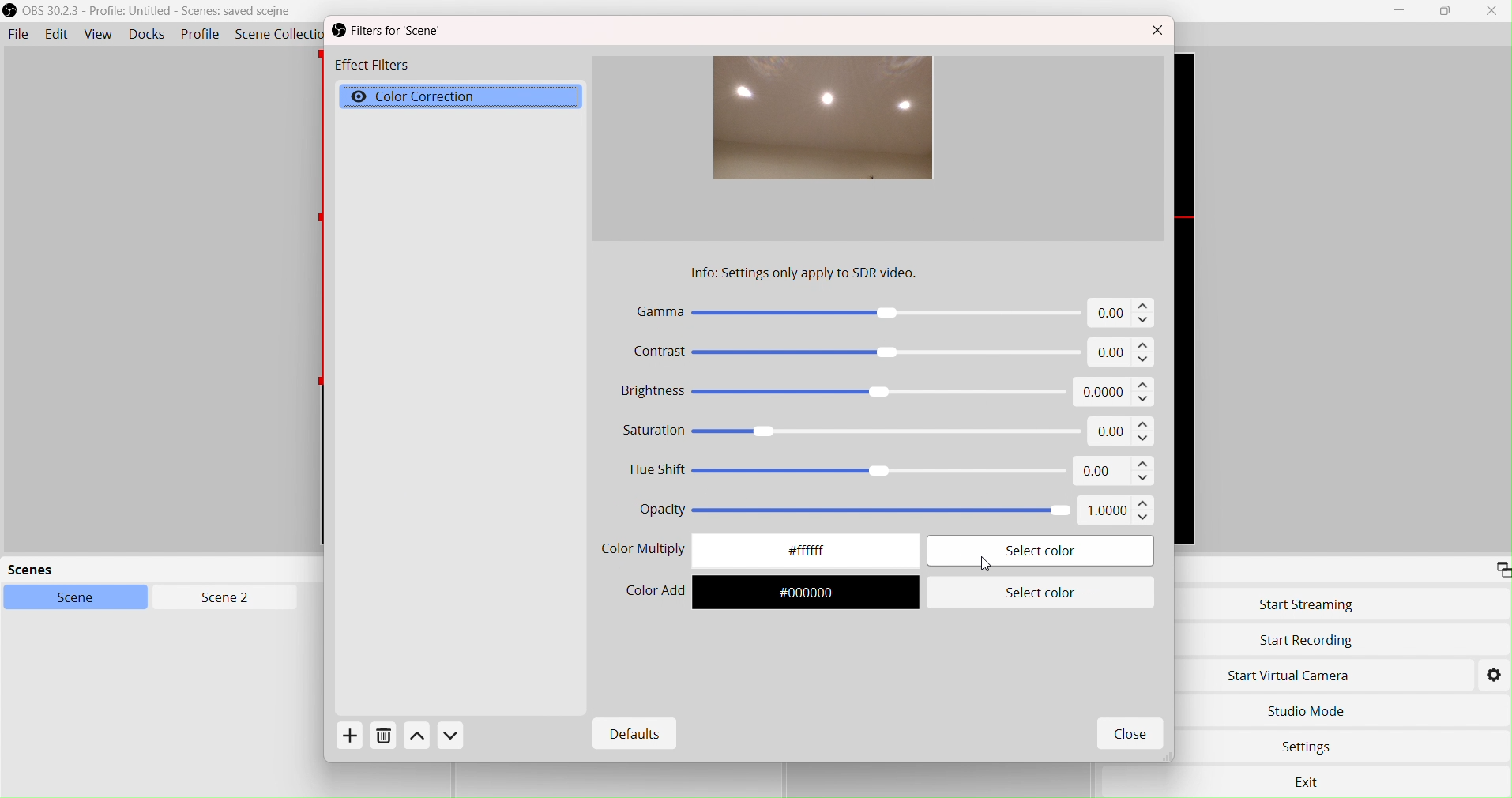 This screenshot has width=1512, height=798. What do you see at coordinates (1307, 641) in the screenshot?
I see `Start Recording` at bounding box center [1307, 641].